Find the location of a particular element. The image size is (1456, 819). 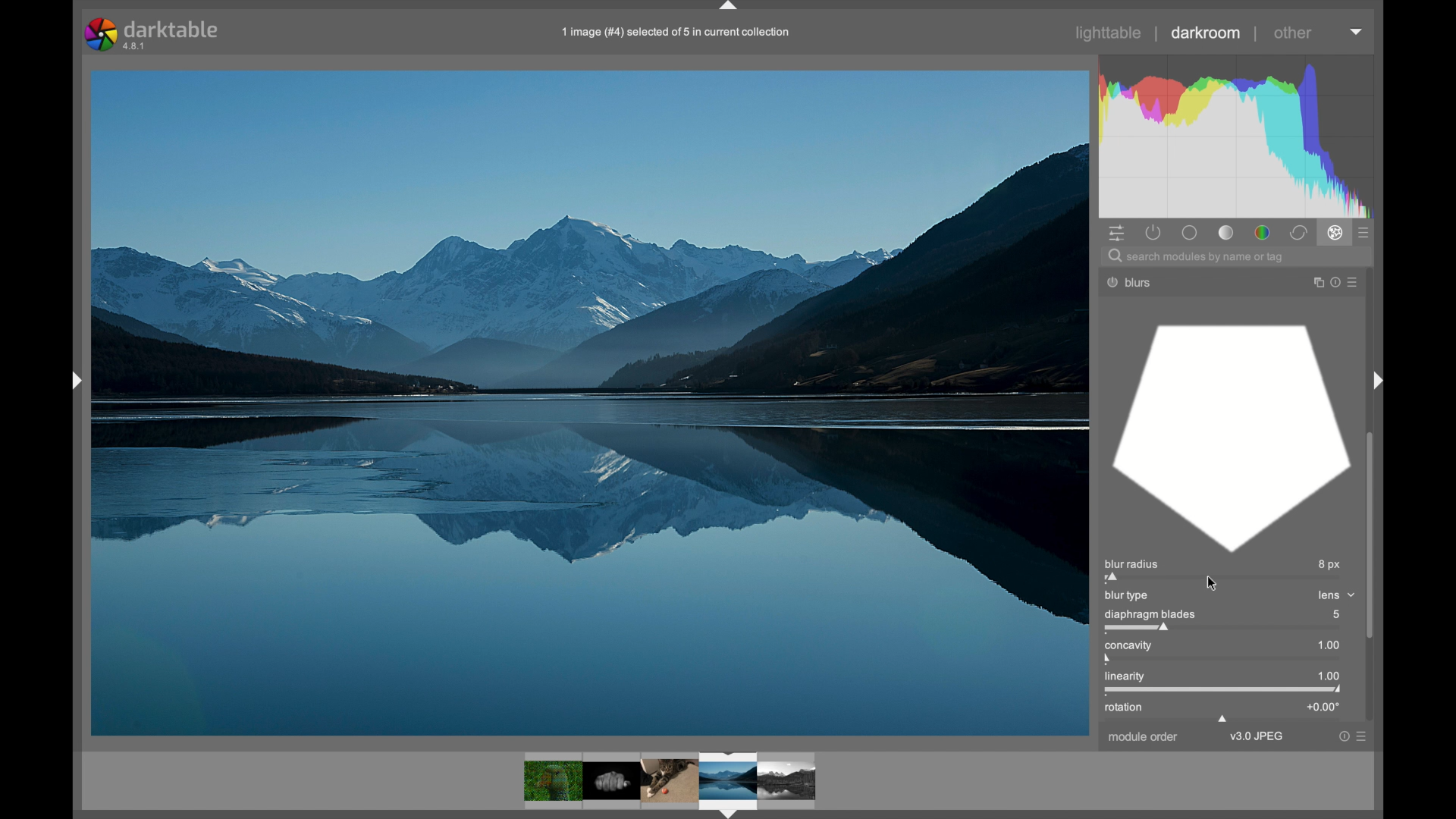

concavity is located at coordinates (1128, 645).